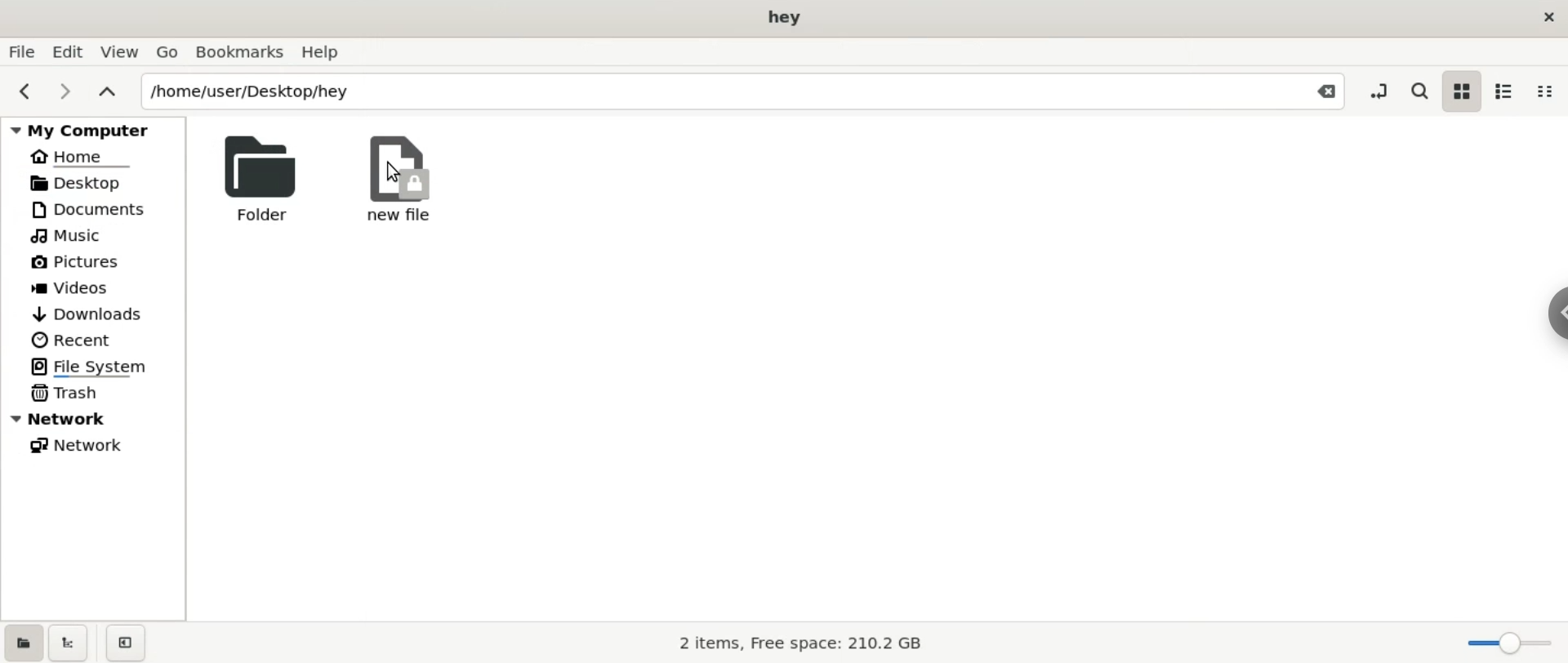 The height and width of the screenshot is (663, 1568). I want to click on 2 Items, Free space: 210.2 GB, so click(802, 644).